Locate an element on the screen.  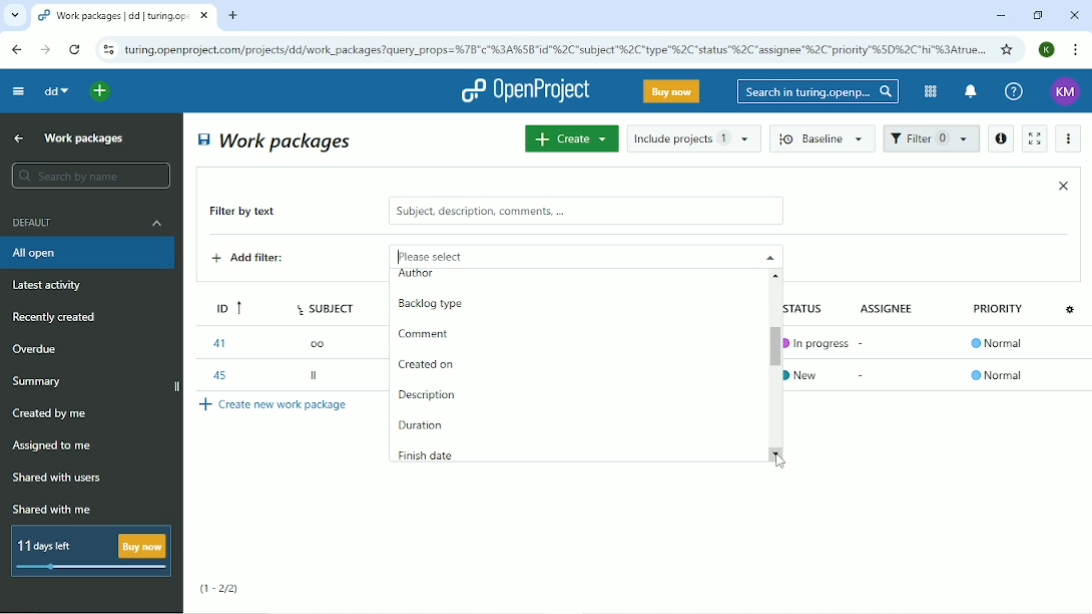
Created on is located at coordinates (427, 365).